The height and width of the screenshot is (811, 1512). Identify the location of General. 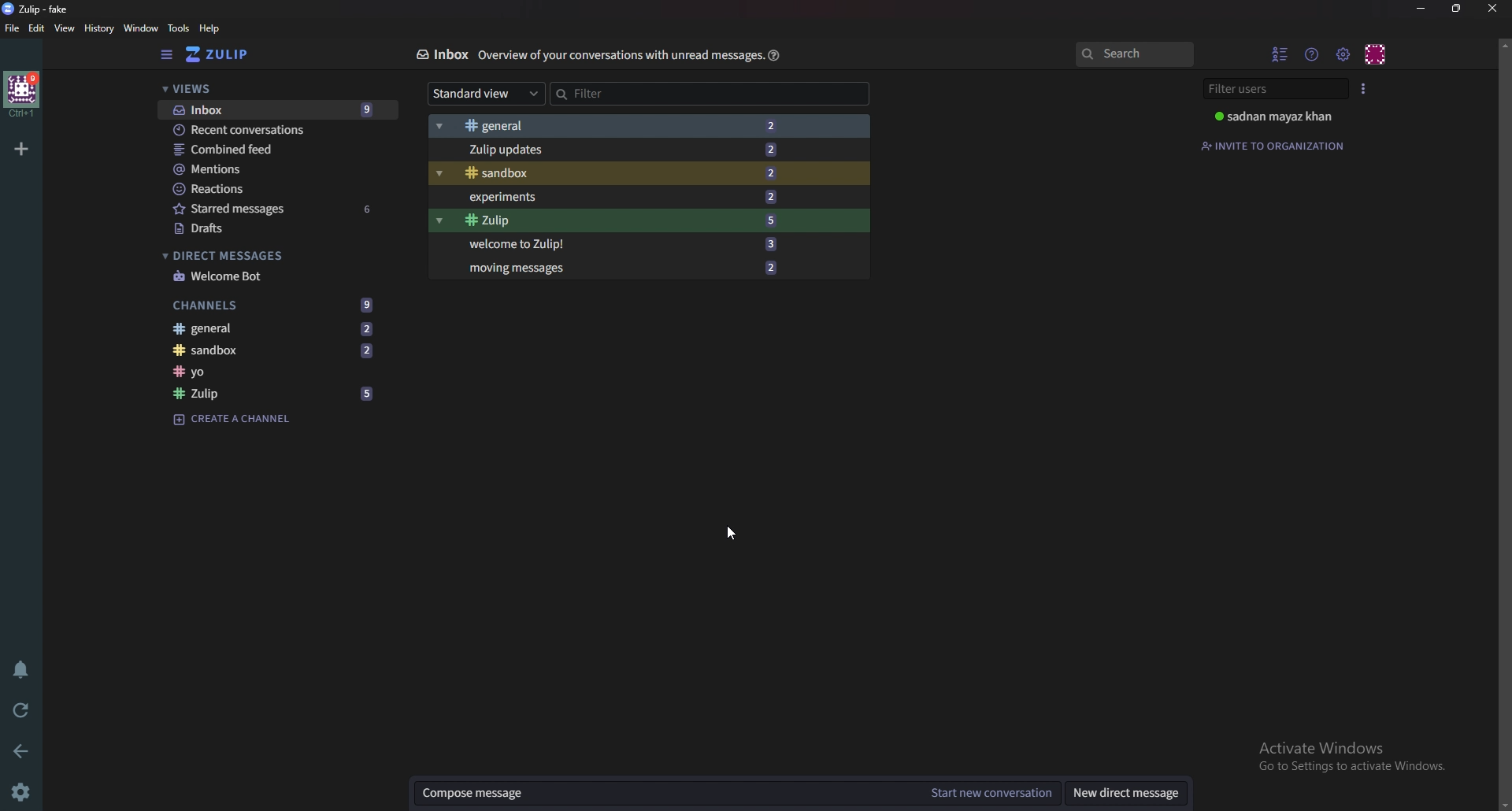
(277, 328).